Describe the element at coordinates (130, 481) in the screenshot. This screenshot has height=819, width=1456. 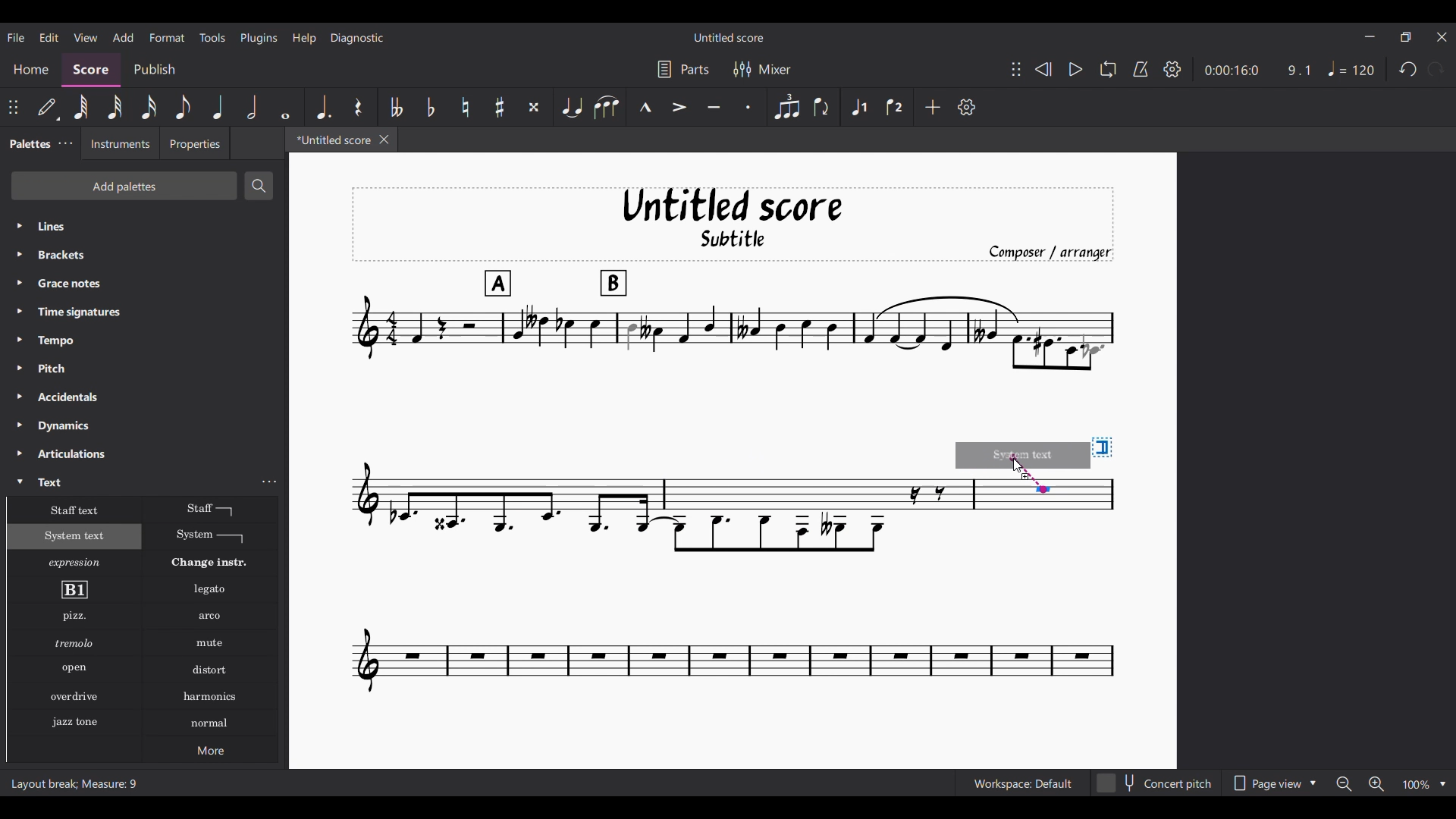
I see `Text, highlighted by cursor` at that location.